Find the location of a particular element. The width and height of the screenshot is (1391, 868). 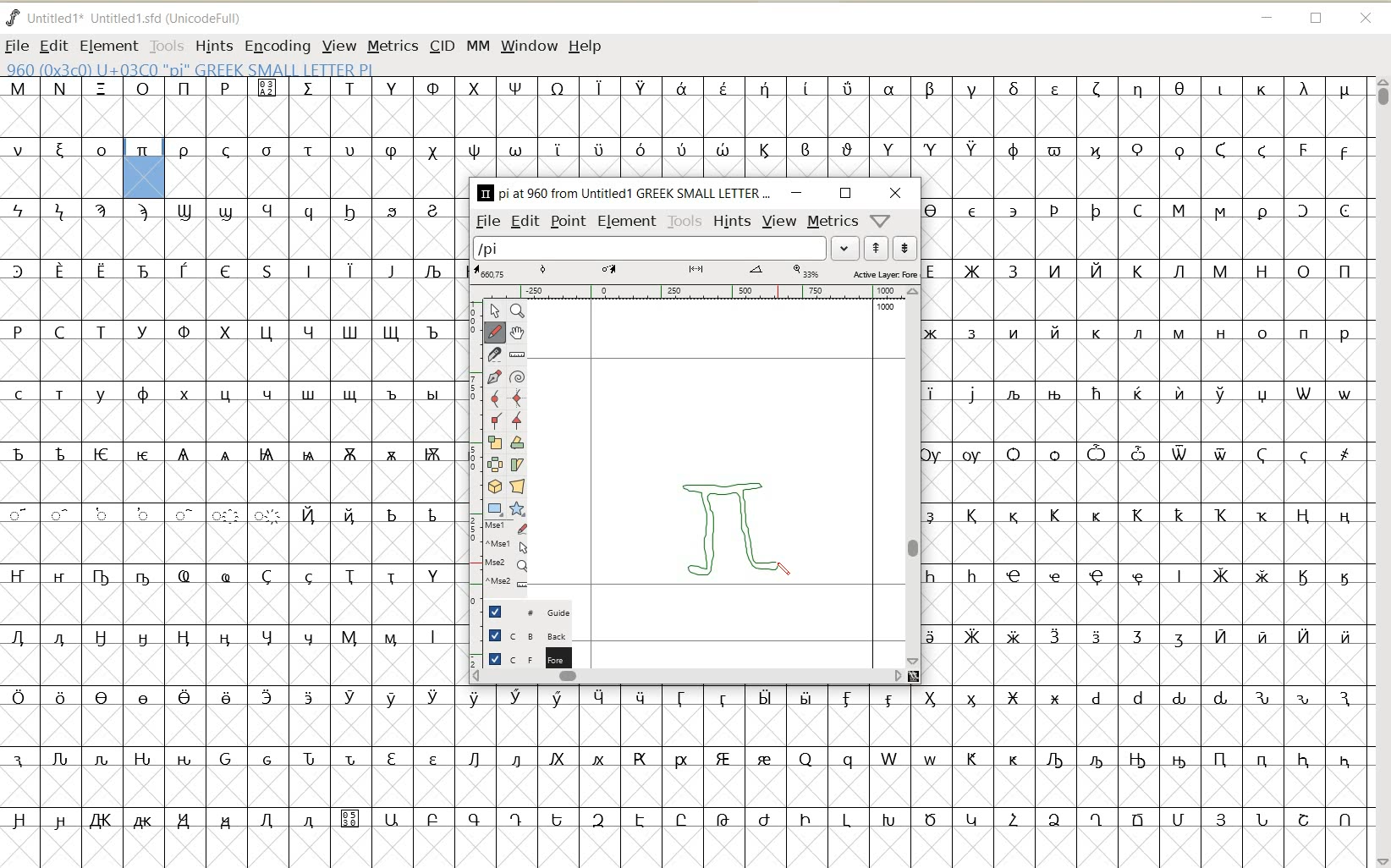

cut splines in two is located at coordinates (492, 354).